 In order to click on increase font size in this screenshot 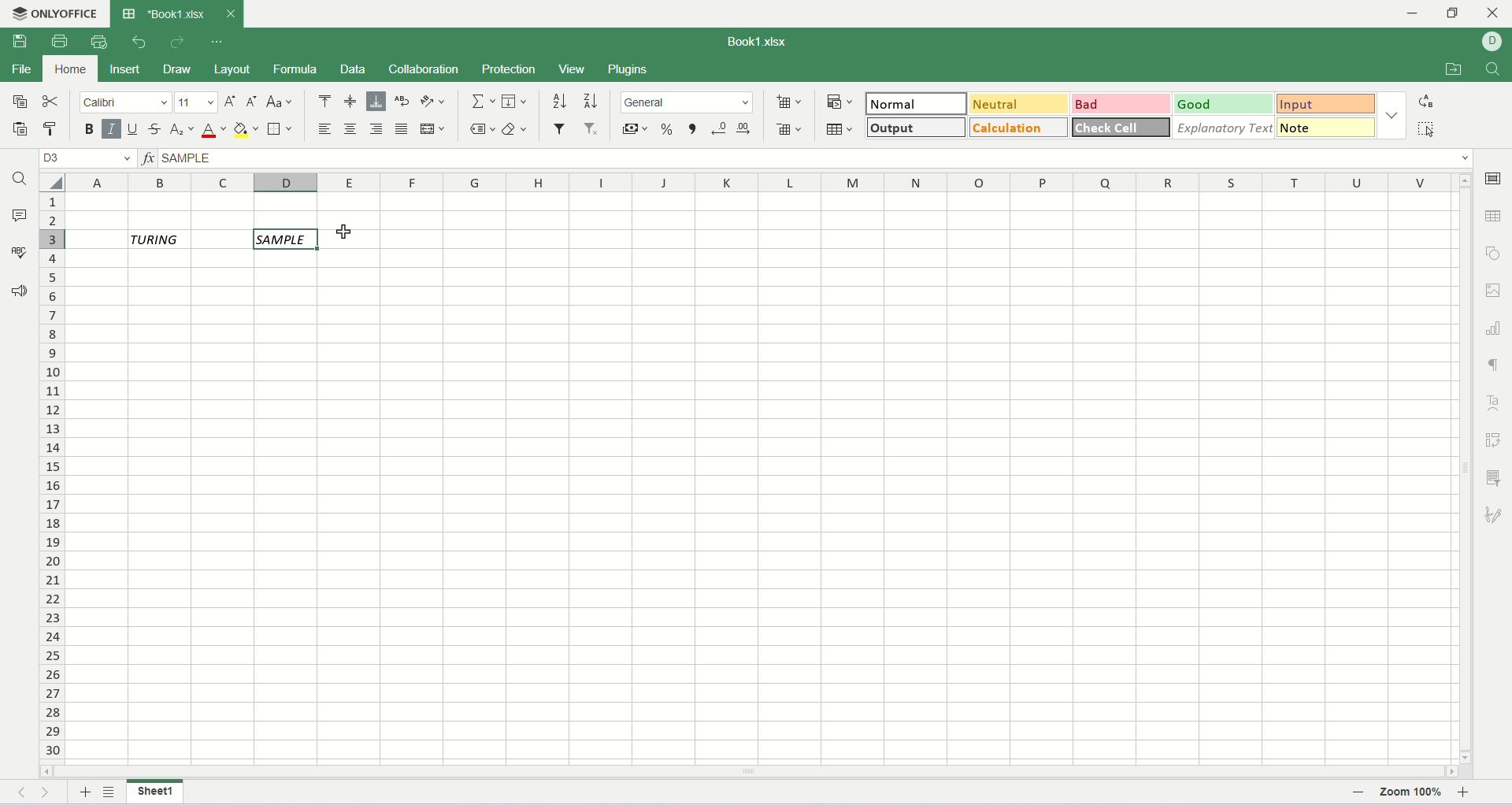, I will do `click(232, 103)`.